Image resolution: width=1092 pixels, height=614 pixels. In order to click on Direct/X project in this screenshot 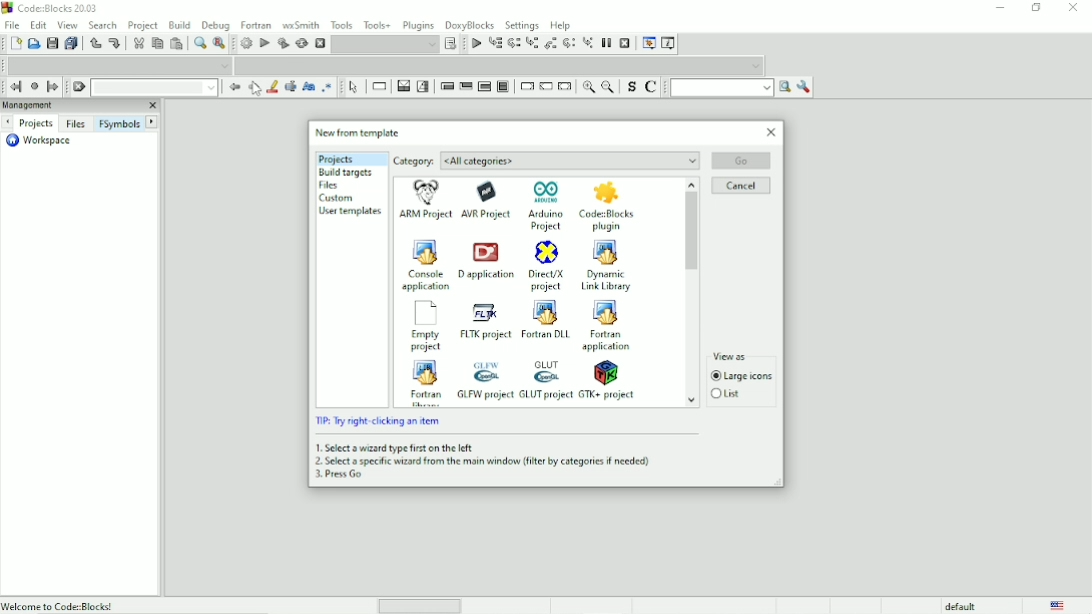, I will do `click(546, 266)`.